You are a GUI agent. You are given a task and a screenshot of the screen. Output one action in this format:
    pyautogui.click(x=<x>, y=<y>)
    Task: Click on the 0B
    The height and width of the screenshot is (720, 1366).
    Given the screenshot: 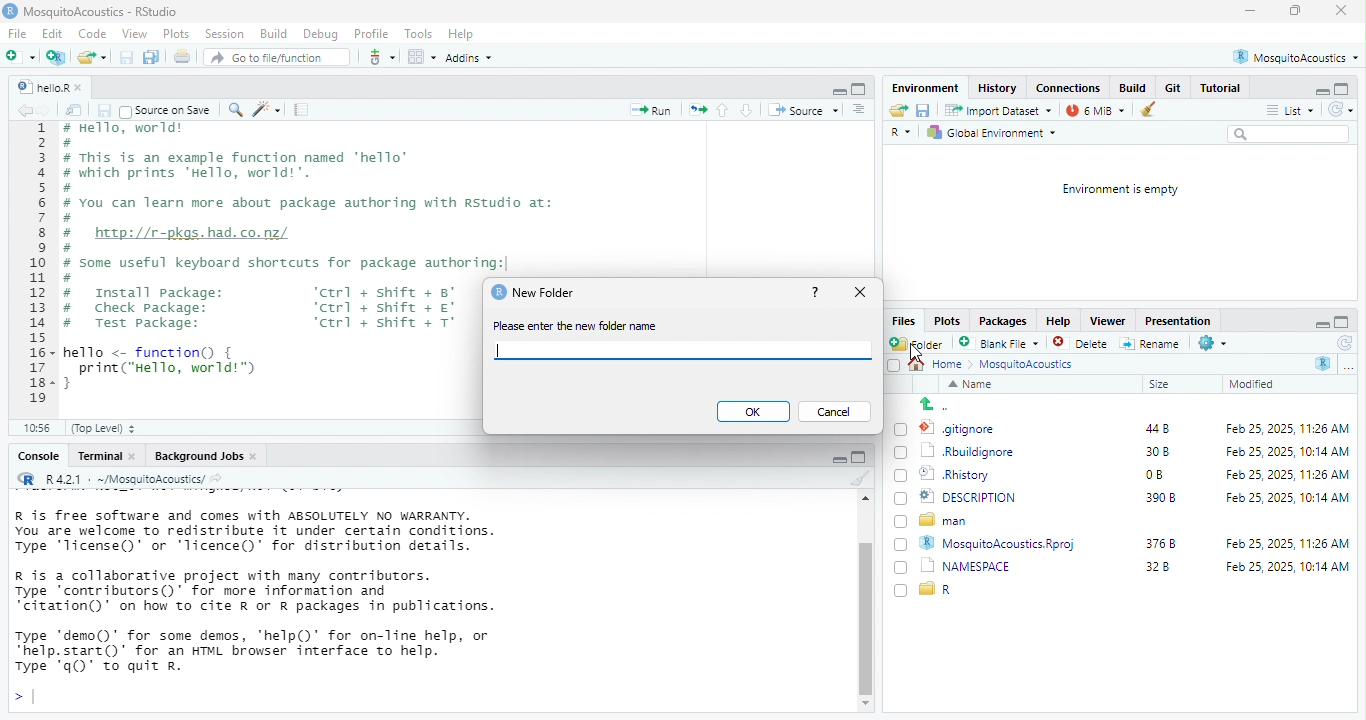 What is the action you would take?
    pyautogui.click(x=1150, y=475)
    